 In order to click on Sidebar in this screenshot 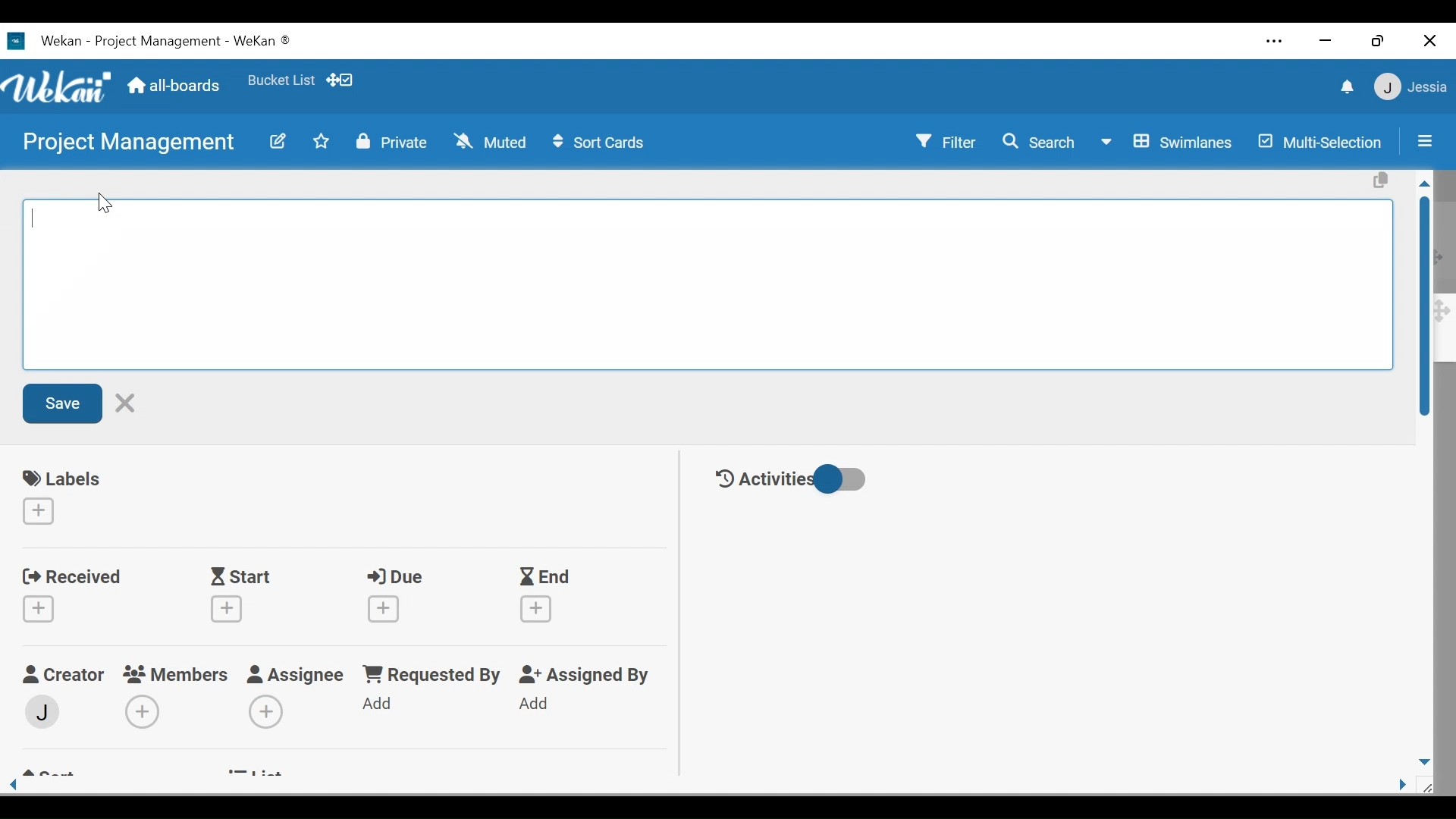, I will do `click(1426, 140)`.